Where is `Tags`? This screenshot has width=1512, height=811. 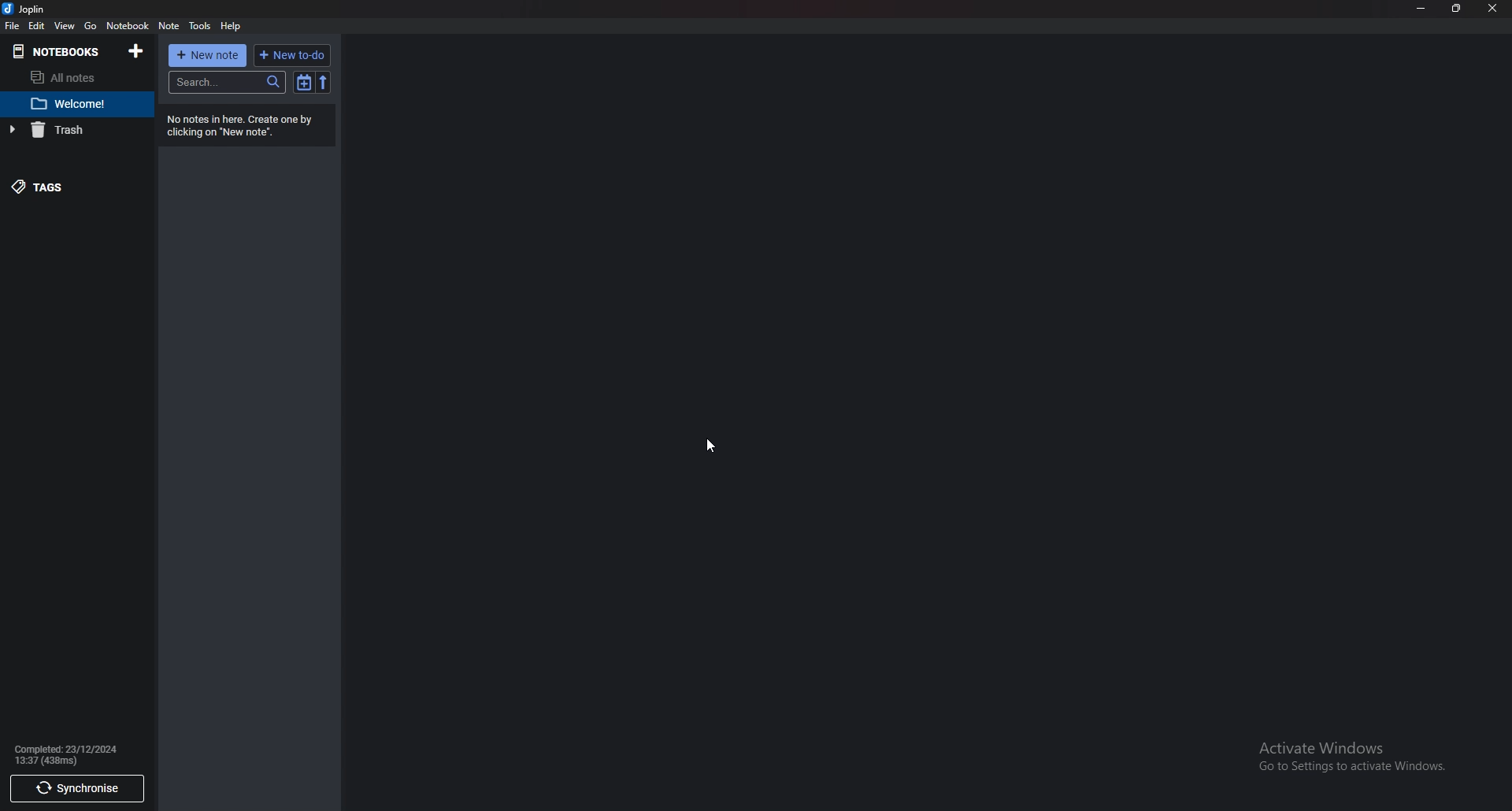
Tags is located at coordinates (61, 187).